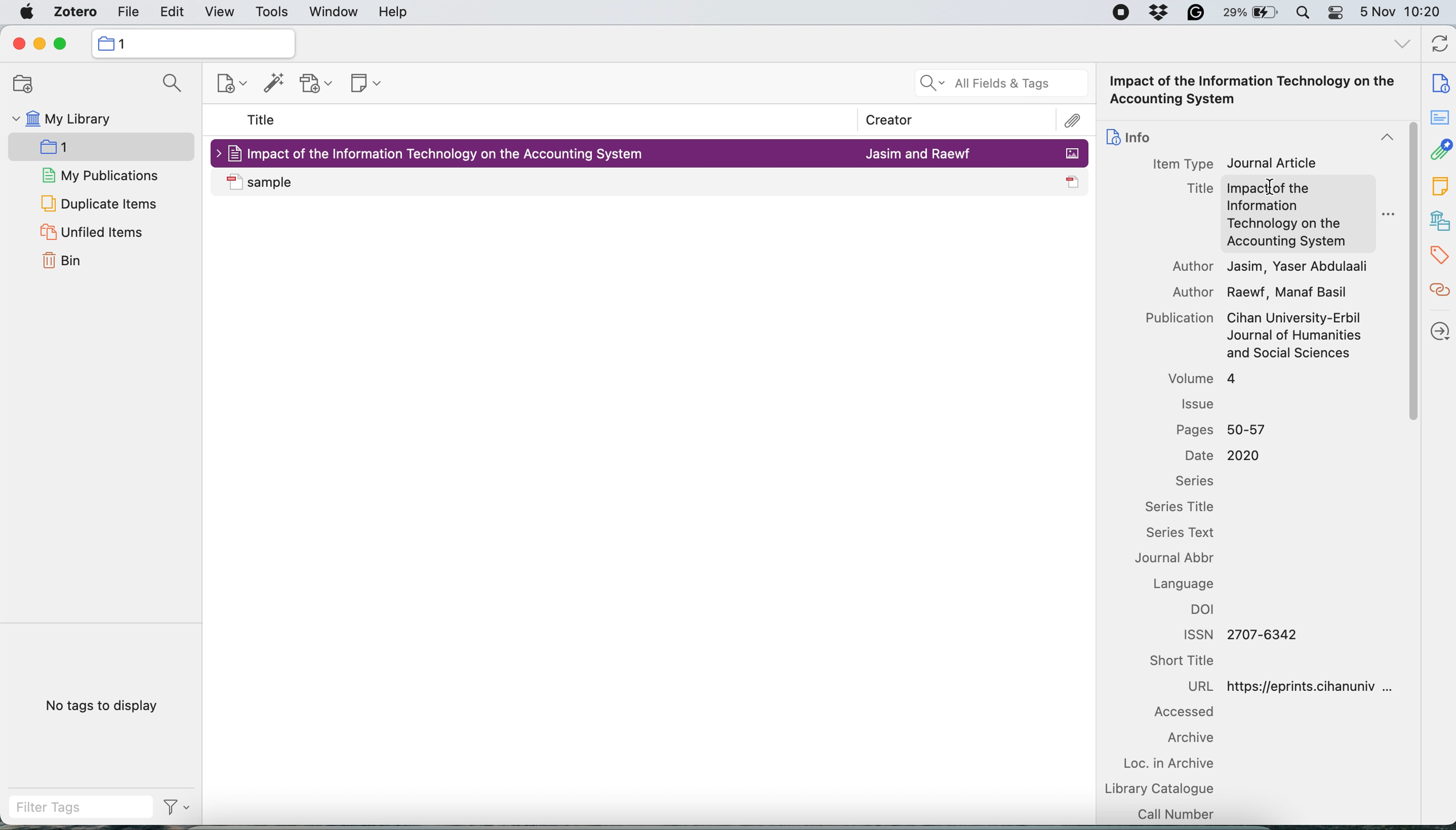  I want to click on duplicate items, so click(97, 205).